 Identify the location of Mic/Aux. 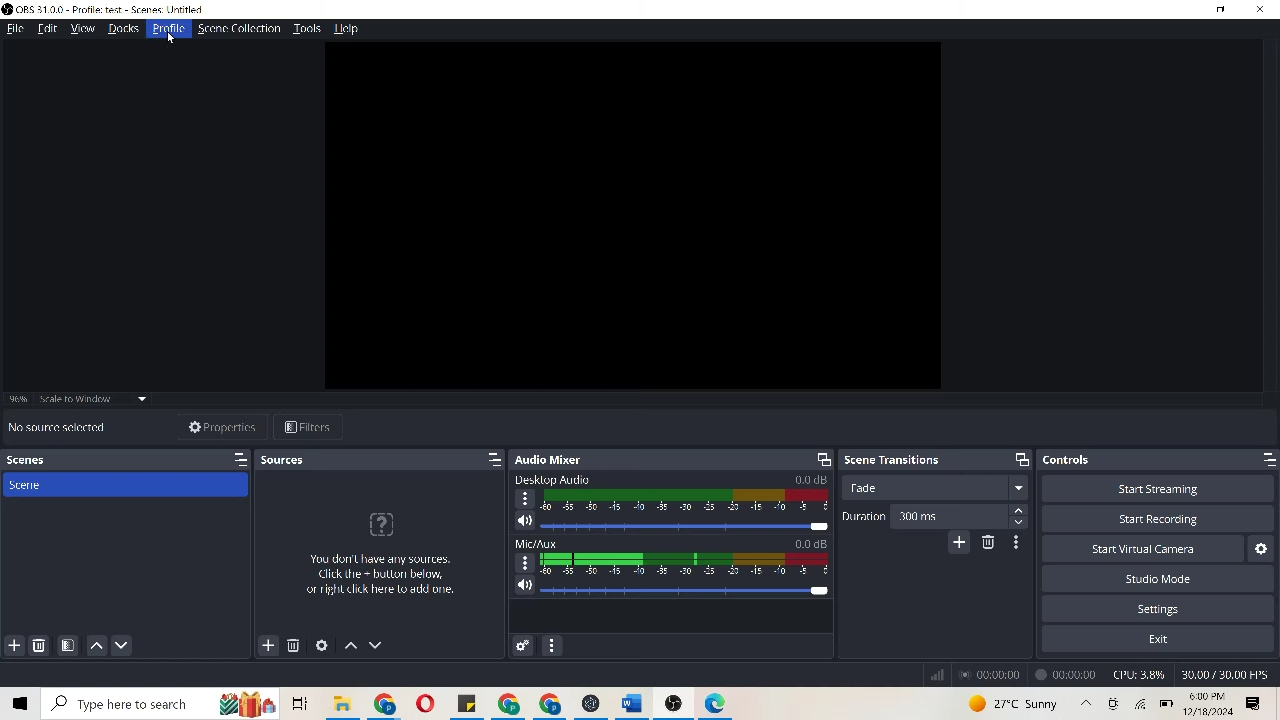
(536, 543).